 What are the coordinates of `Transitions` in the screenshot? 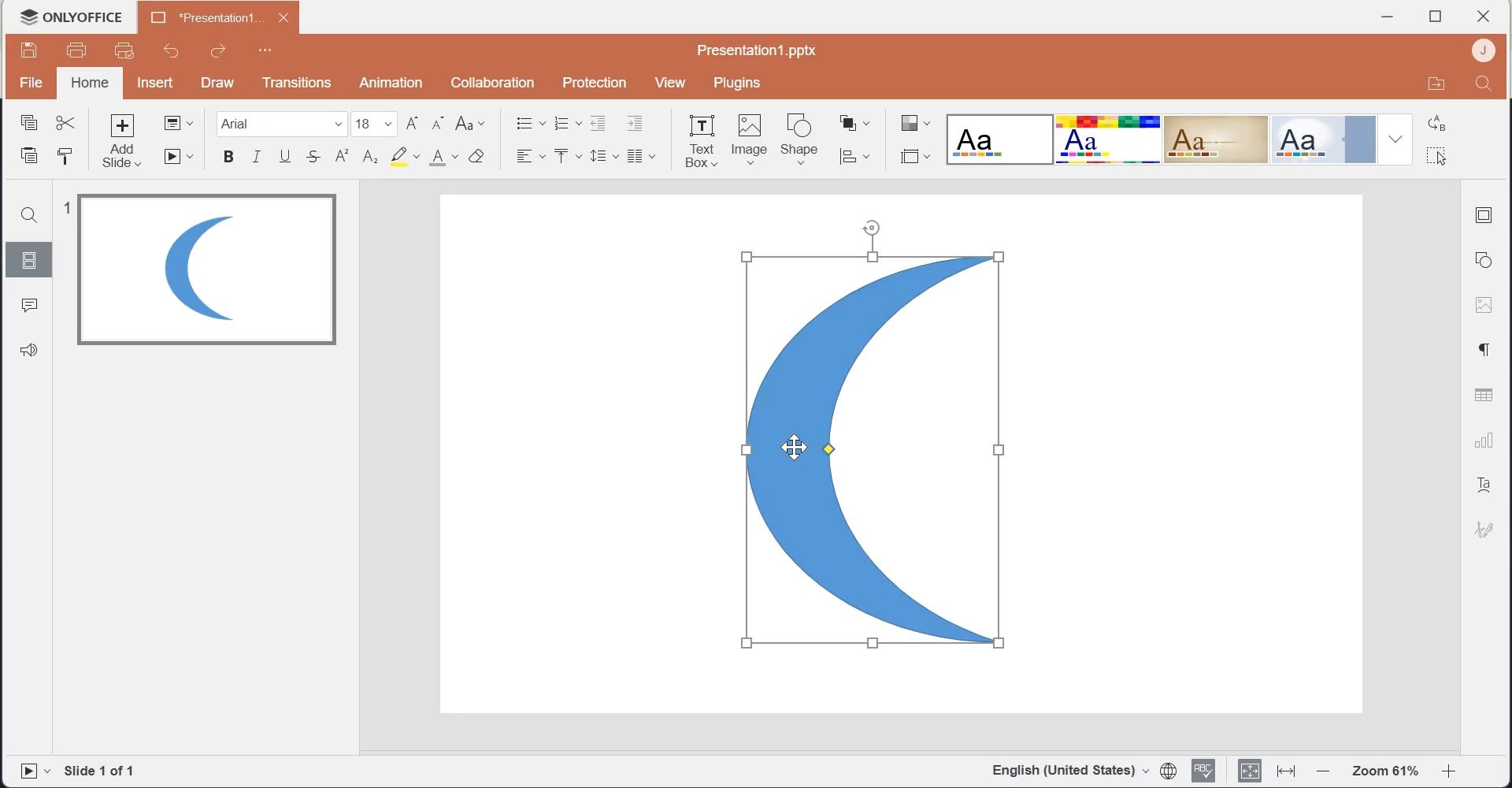 It's located at (295, 83).